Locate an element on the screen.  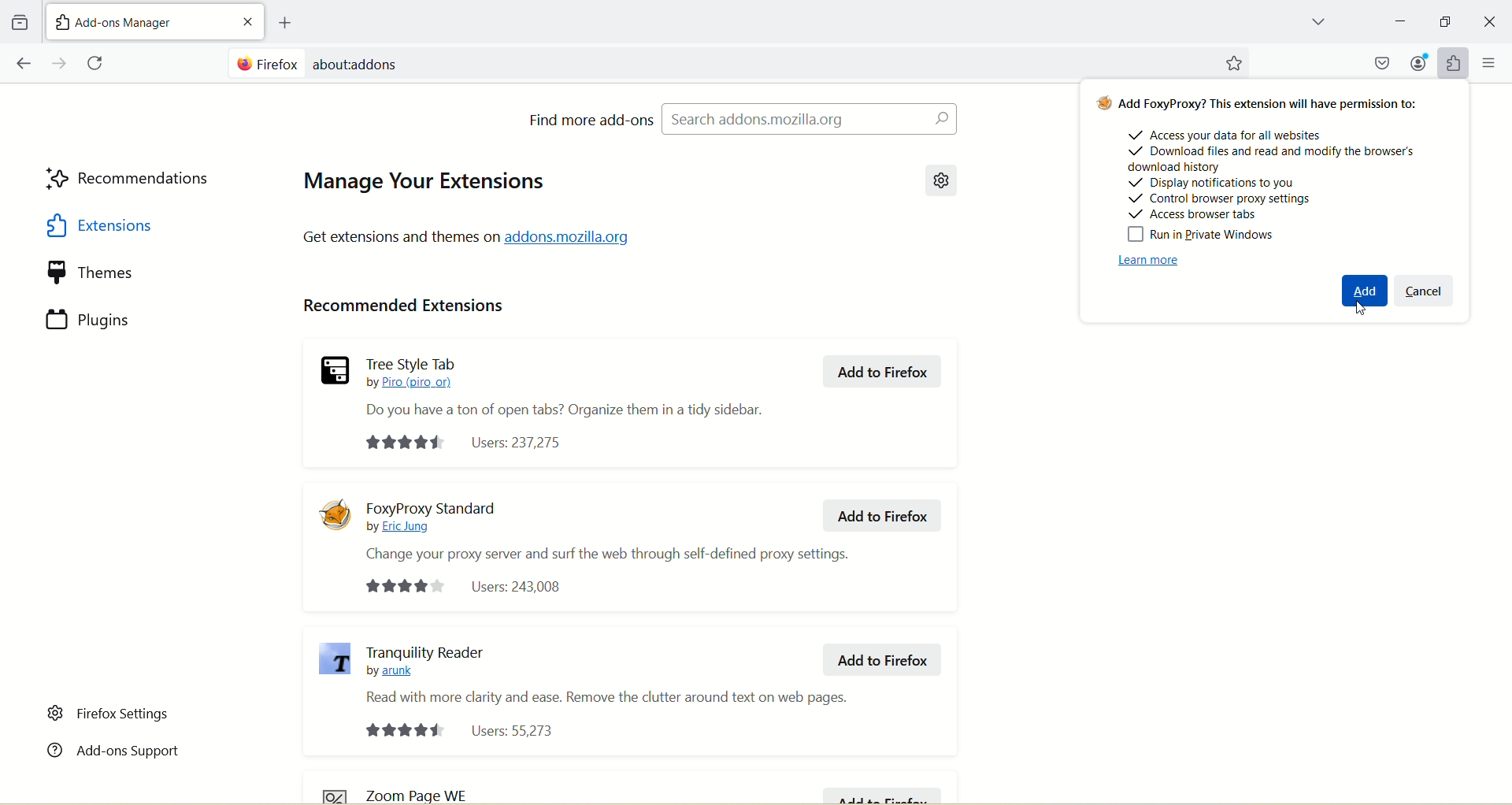
Read with more clarity and ease. Remove the clutter around text on web pages. is located at coordinates (607, 697).